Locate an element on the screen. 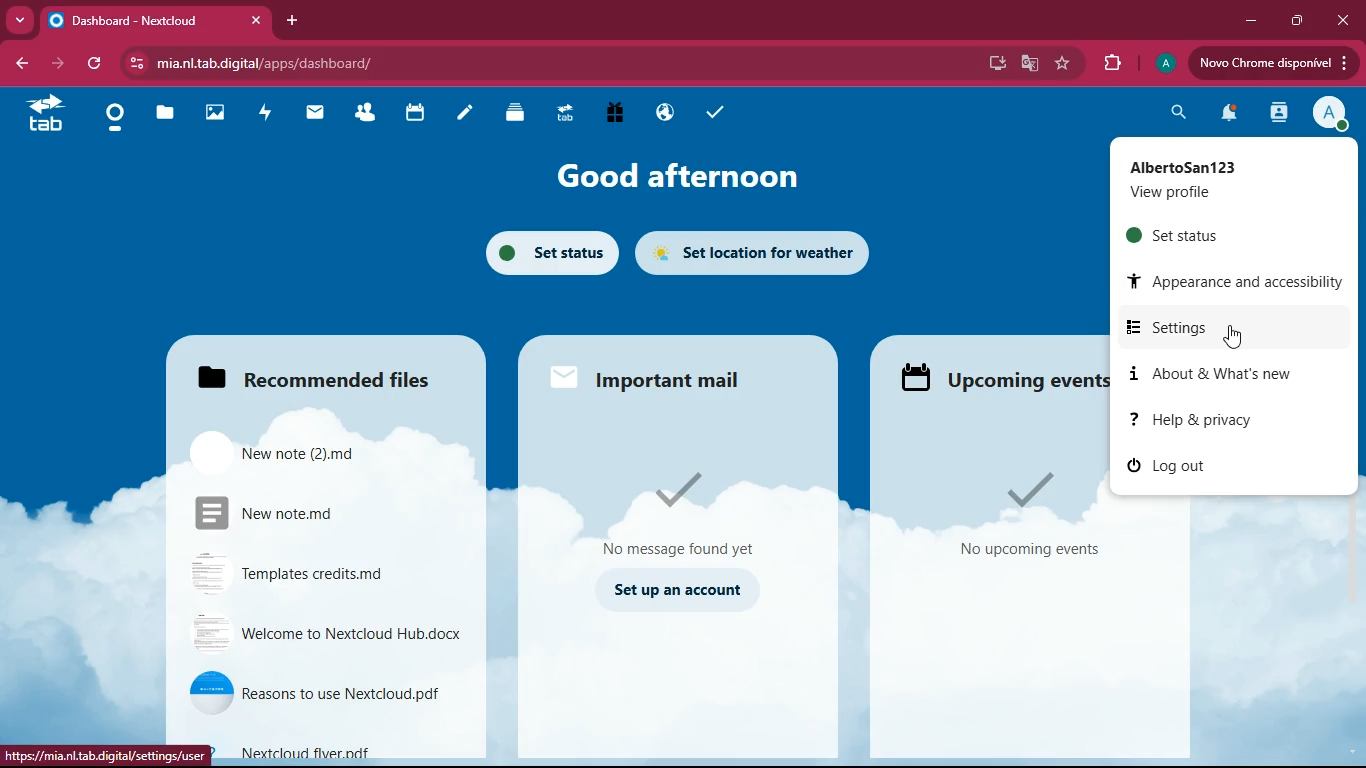 This screenshot has height=768, width=1366. set up is located at coordinates (680, 589).